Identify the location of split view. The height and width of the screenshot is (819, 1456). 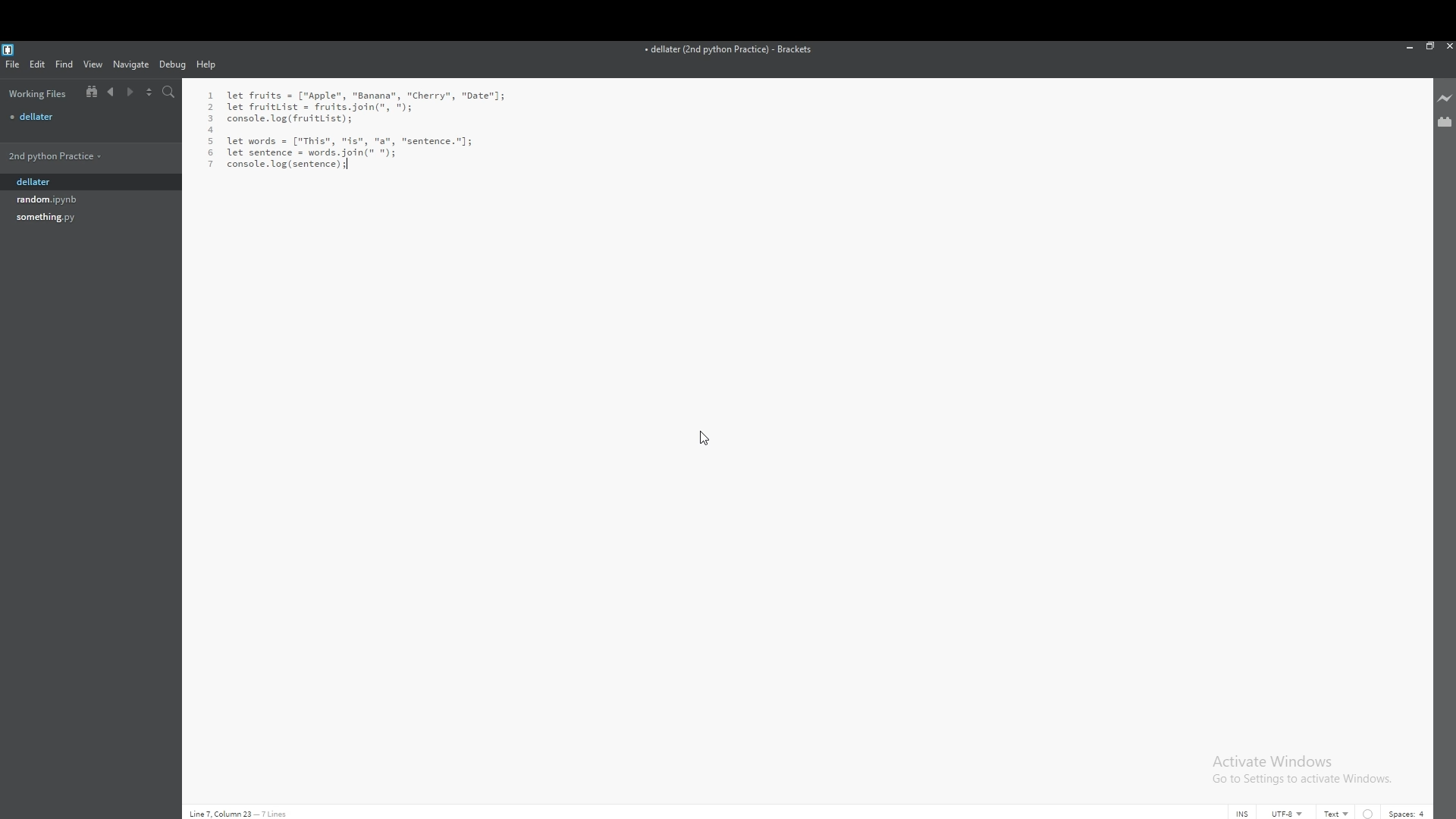
(150, 91).